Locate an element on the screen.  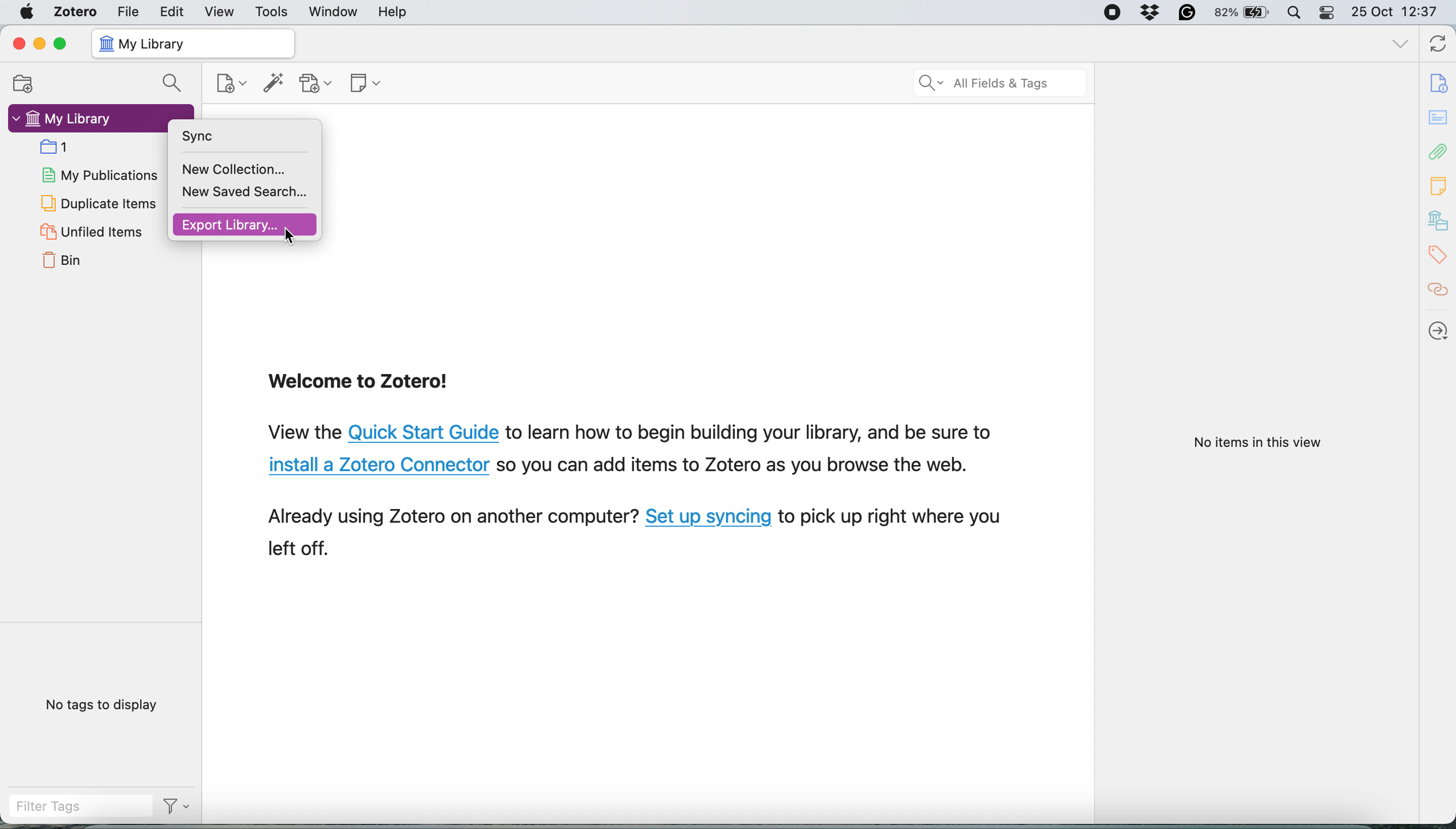
my publications is located at coordinates (98, 175).